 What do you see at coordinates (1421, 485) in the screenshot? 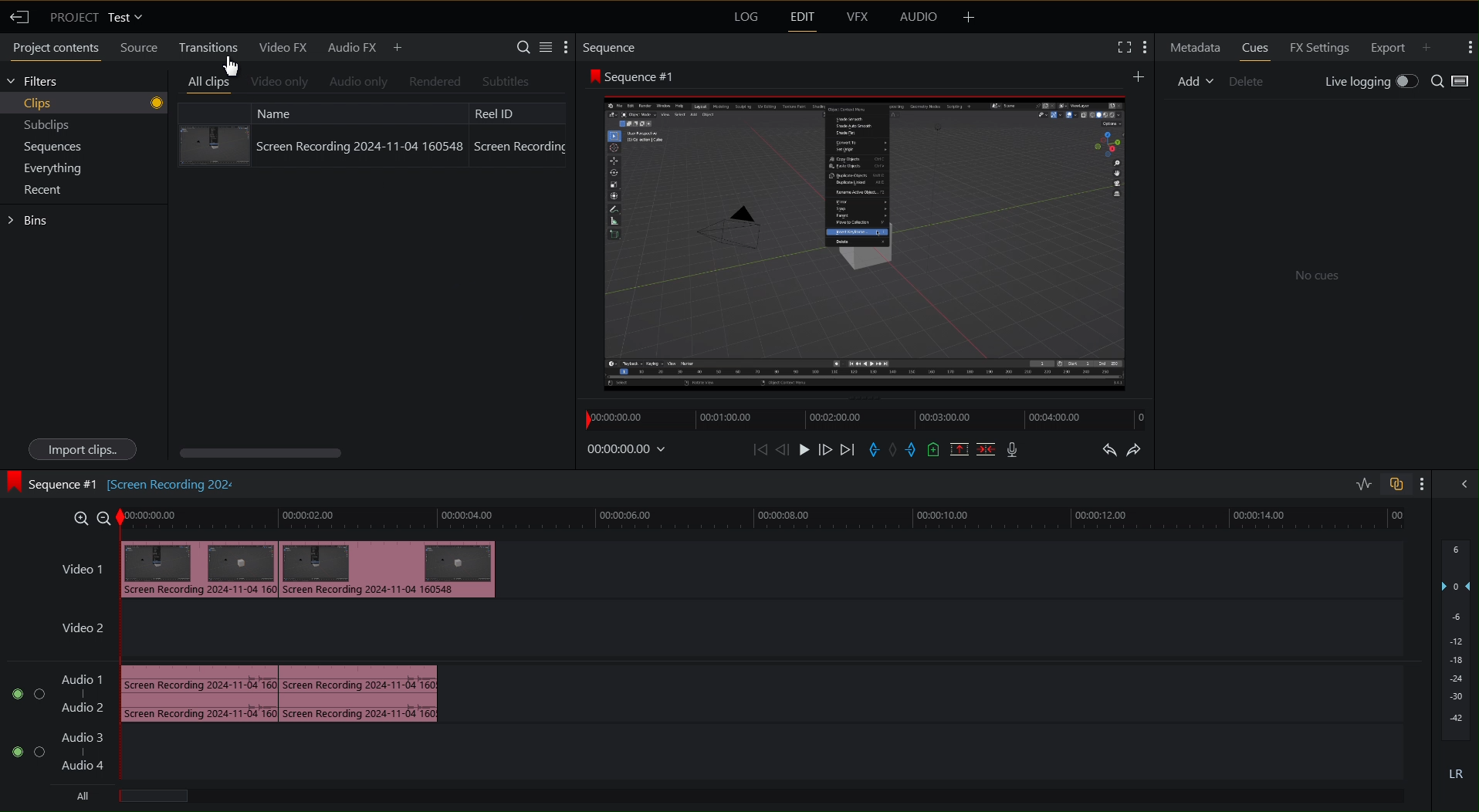
I see `More` at bounding box center [1421, 485].